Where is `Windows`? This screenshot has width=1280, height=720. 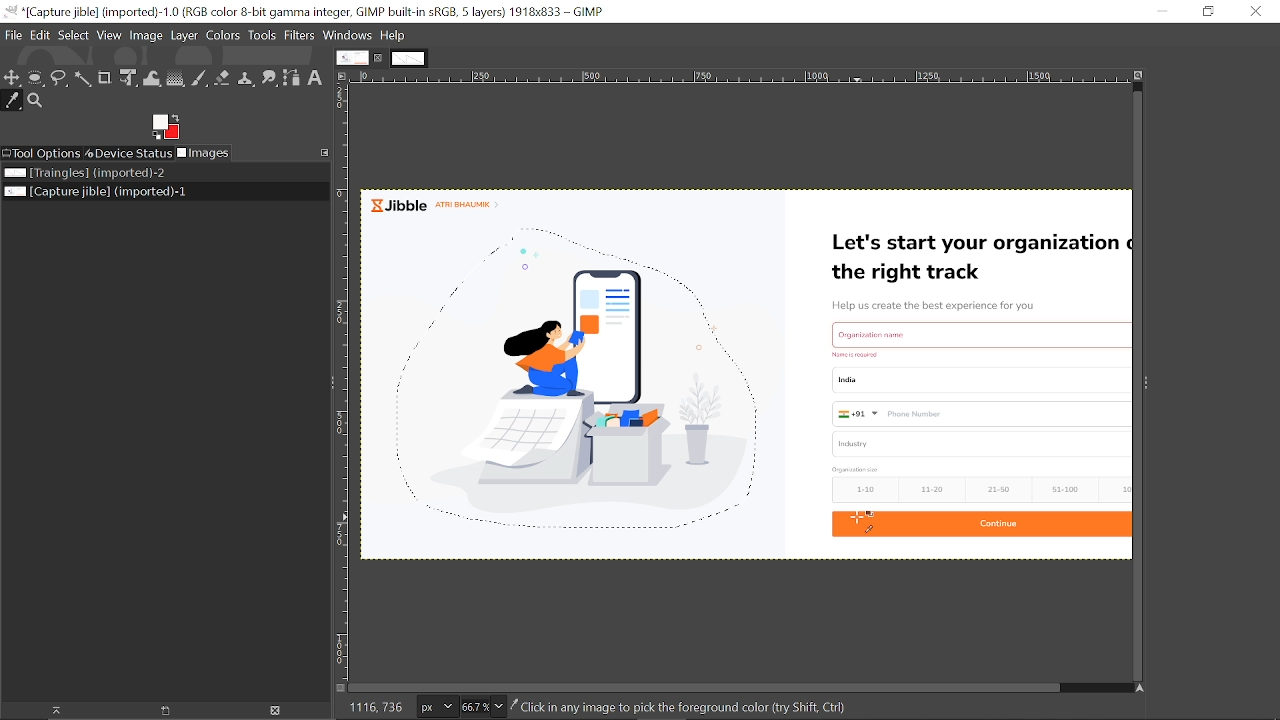
Windows is located at coordinates (348, 36).